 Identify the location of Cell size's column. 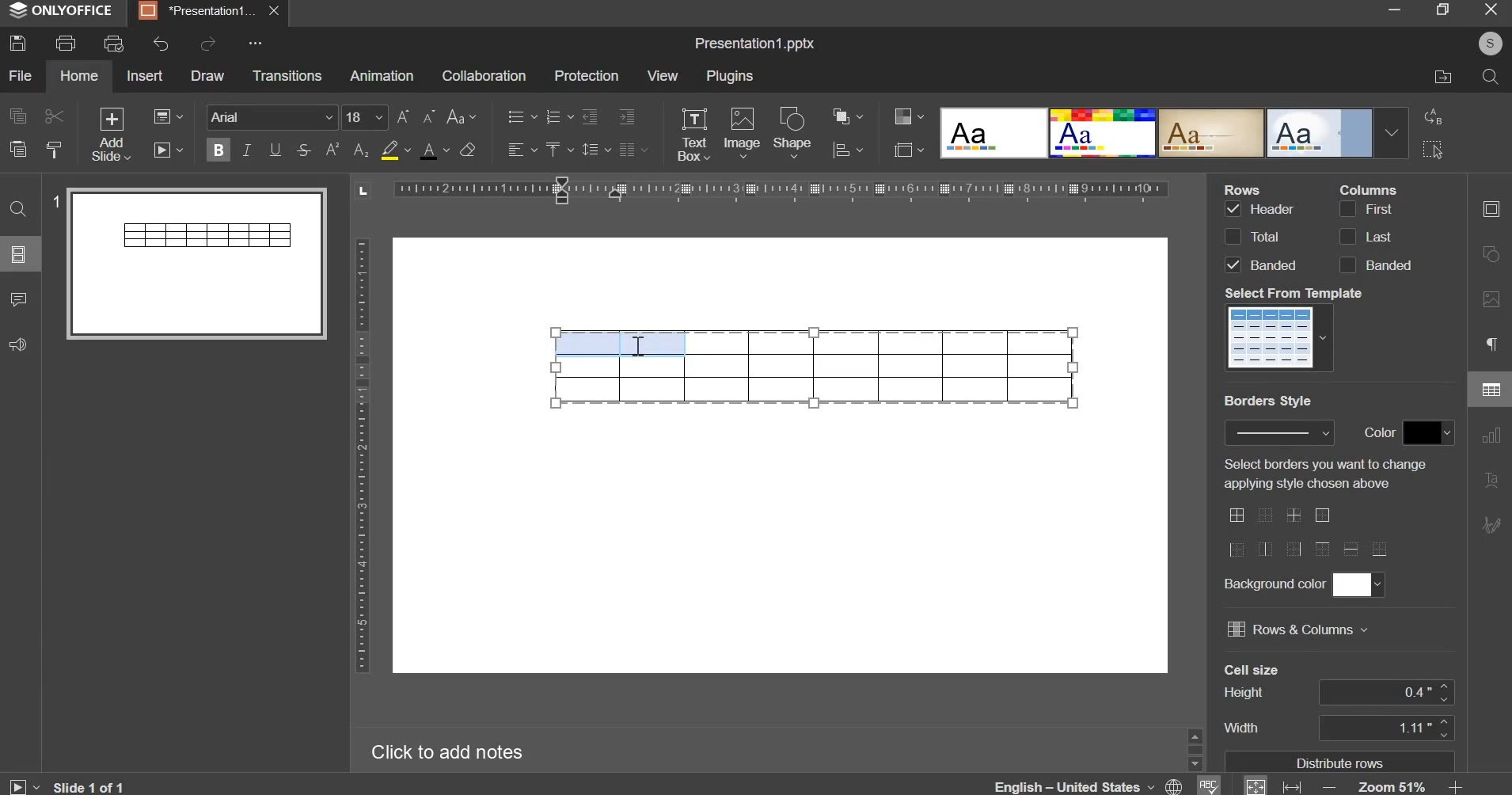
(1252, 700).